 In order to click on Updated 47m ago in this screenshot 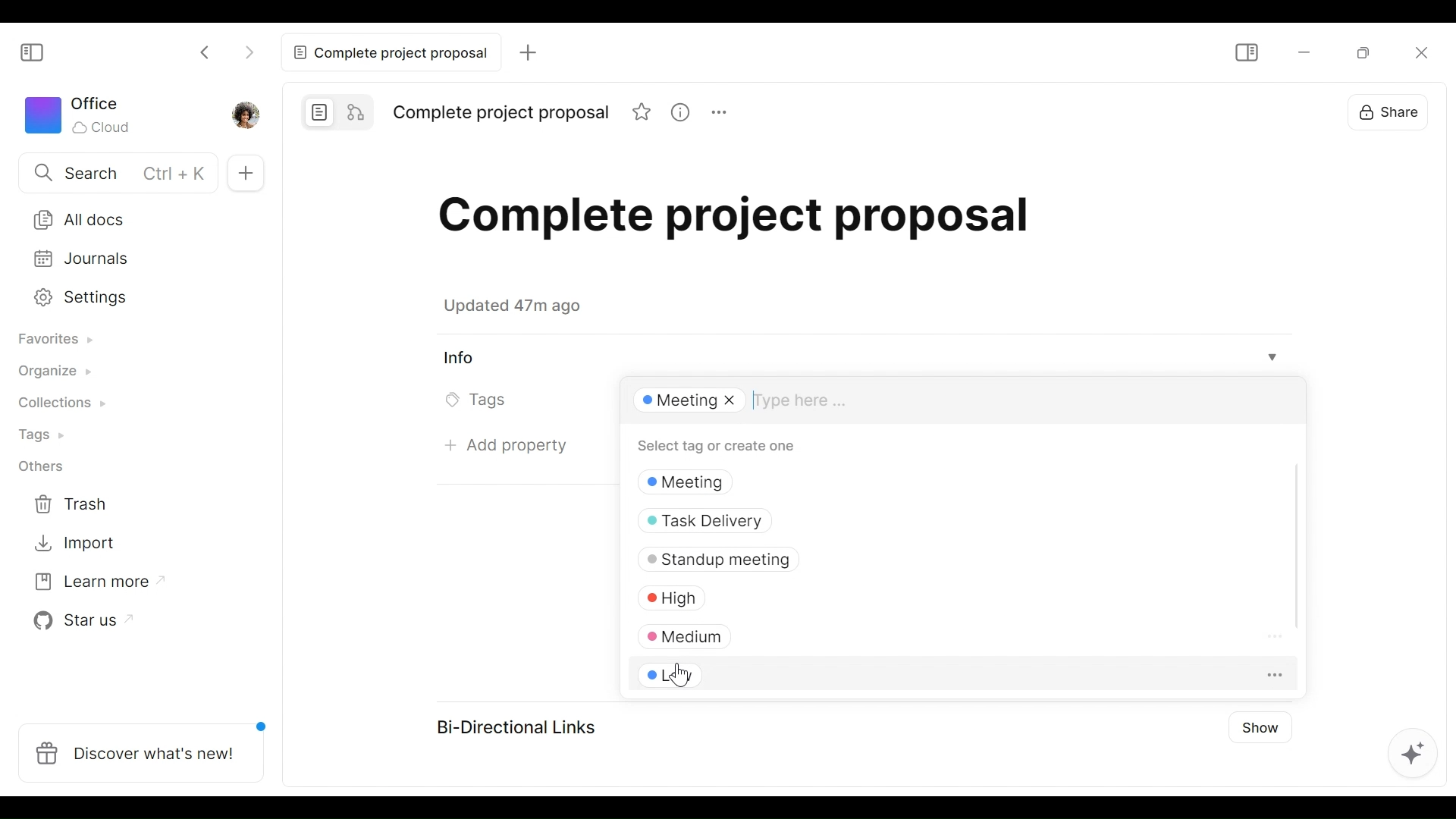, I will do `click(521, 309)`.